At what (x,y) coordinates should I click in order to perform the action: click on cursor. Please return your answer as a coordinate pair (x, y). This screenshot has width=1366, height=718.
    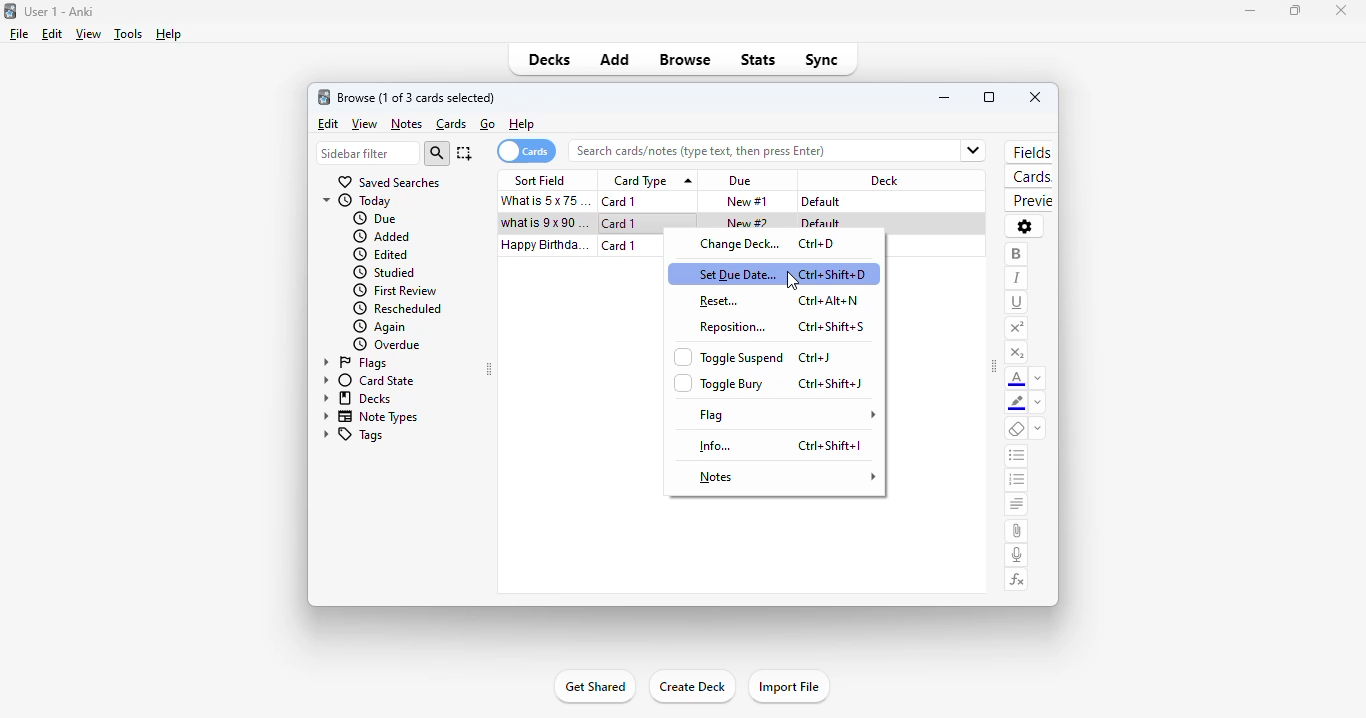
    Looking at the image, I should click on (667, 237).